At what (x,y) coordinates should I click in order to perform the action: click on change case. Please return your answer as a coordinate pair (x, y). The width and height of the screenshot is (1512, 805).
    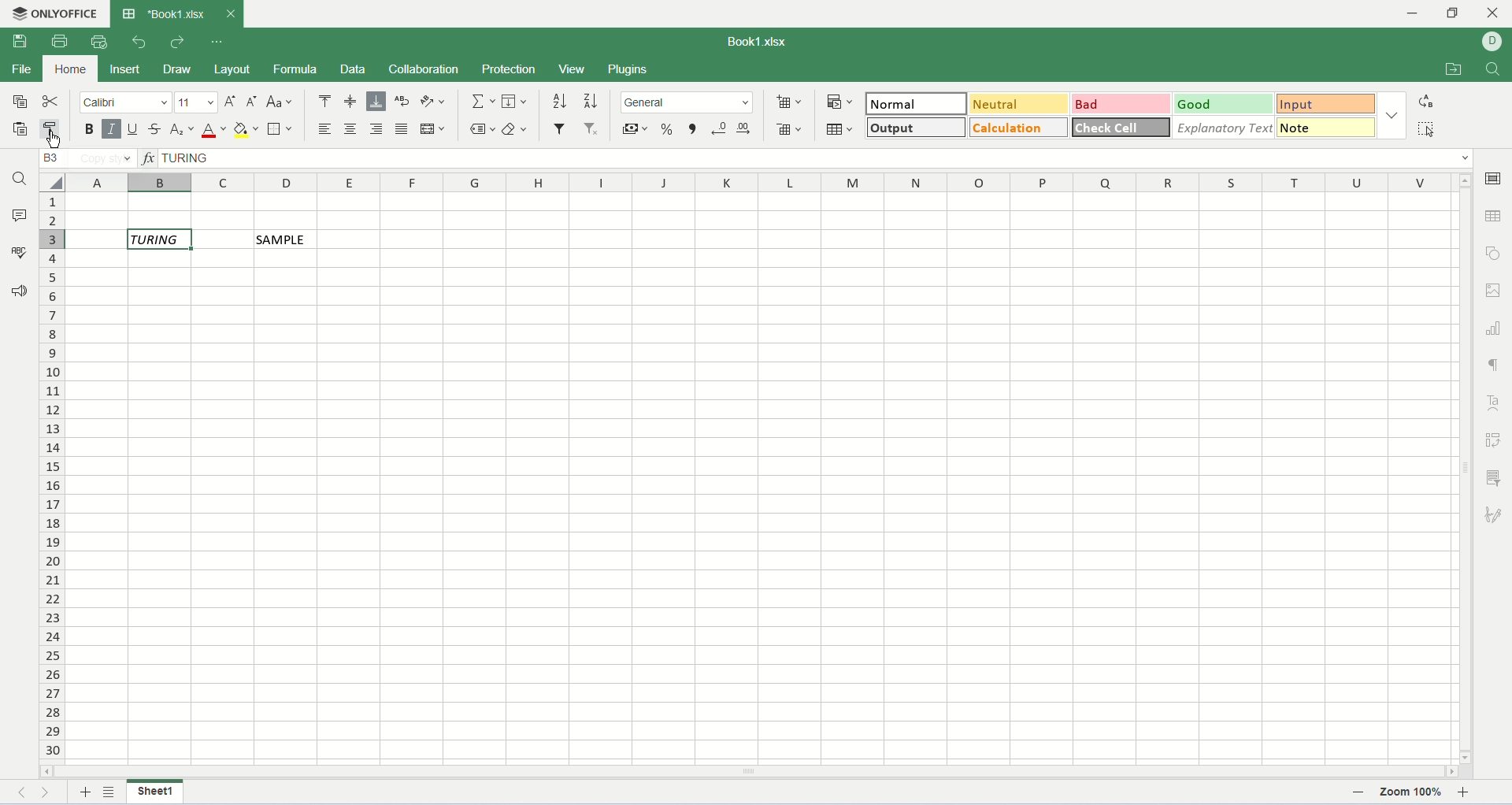
    Looking at the image, I should click on (279, 101).